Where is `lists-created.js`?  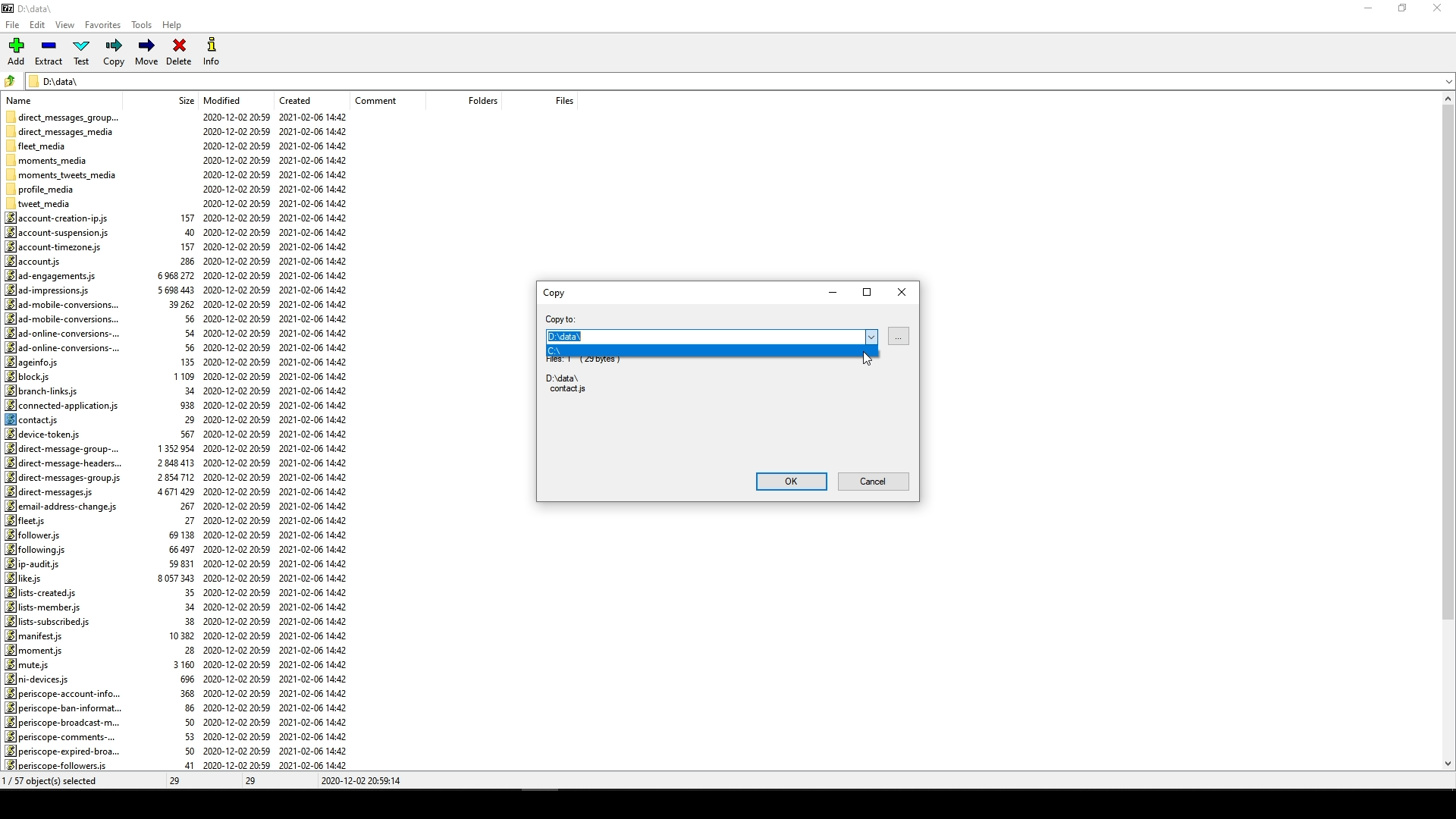 lists-created.js is located at coordinates (45, 592).